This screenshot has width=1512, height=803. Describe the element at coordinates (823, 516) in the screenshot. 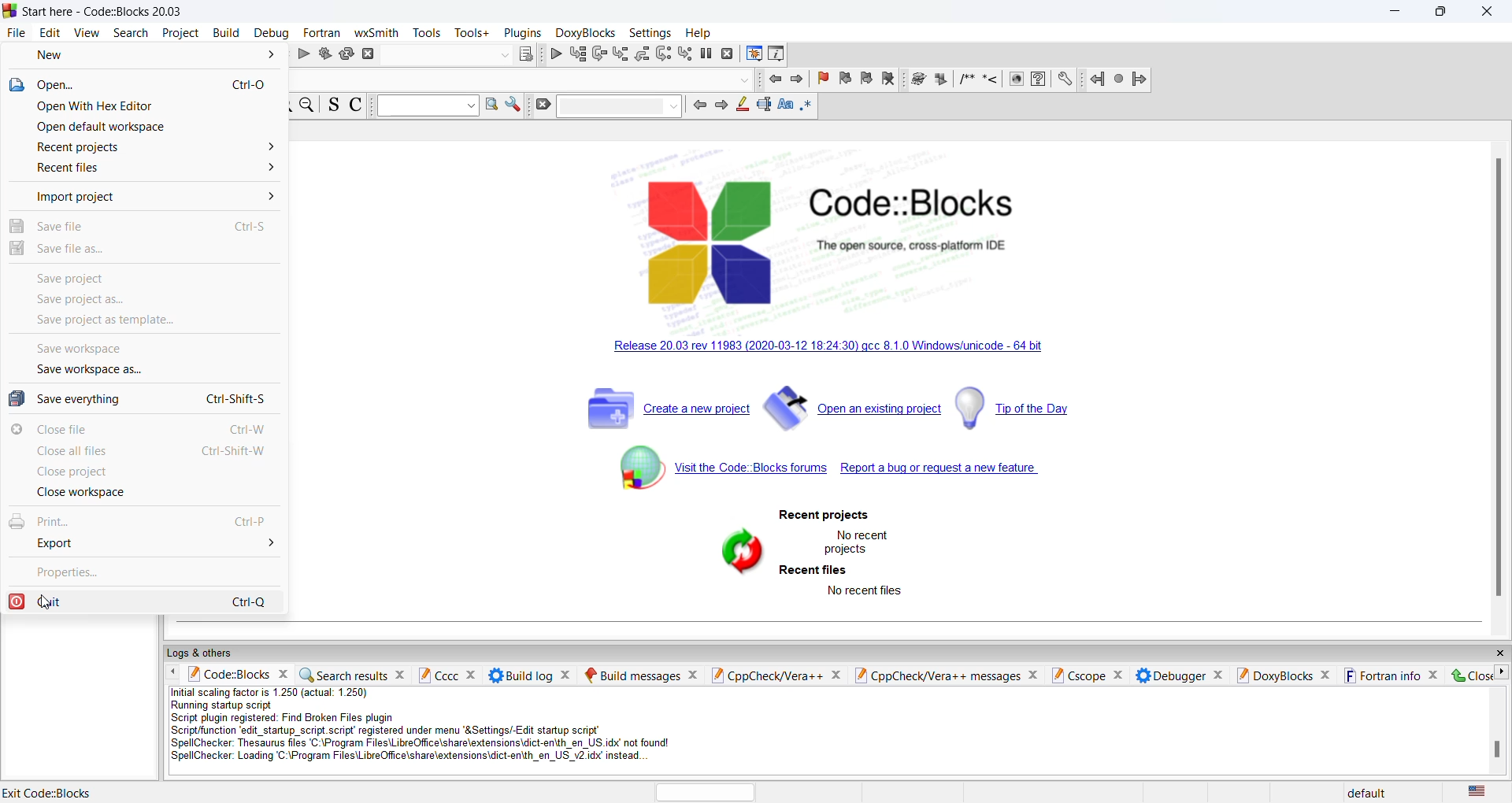

I see `recent project ` at that location.